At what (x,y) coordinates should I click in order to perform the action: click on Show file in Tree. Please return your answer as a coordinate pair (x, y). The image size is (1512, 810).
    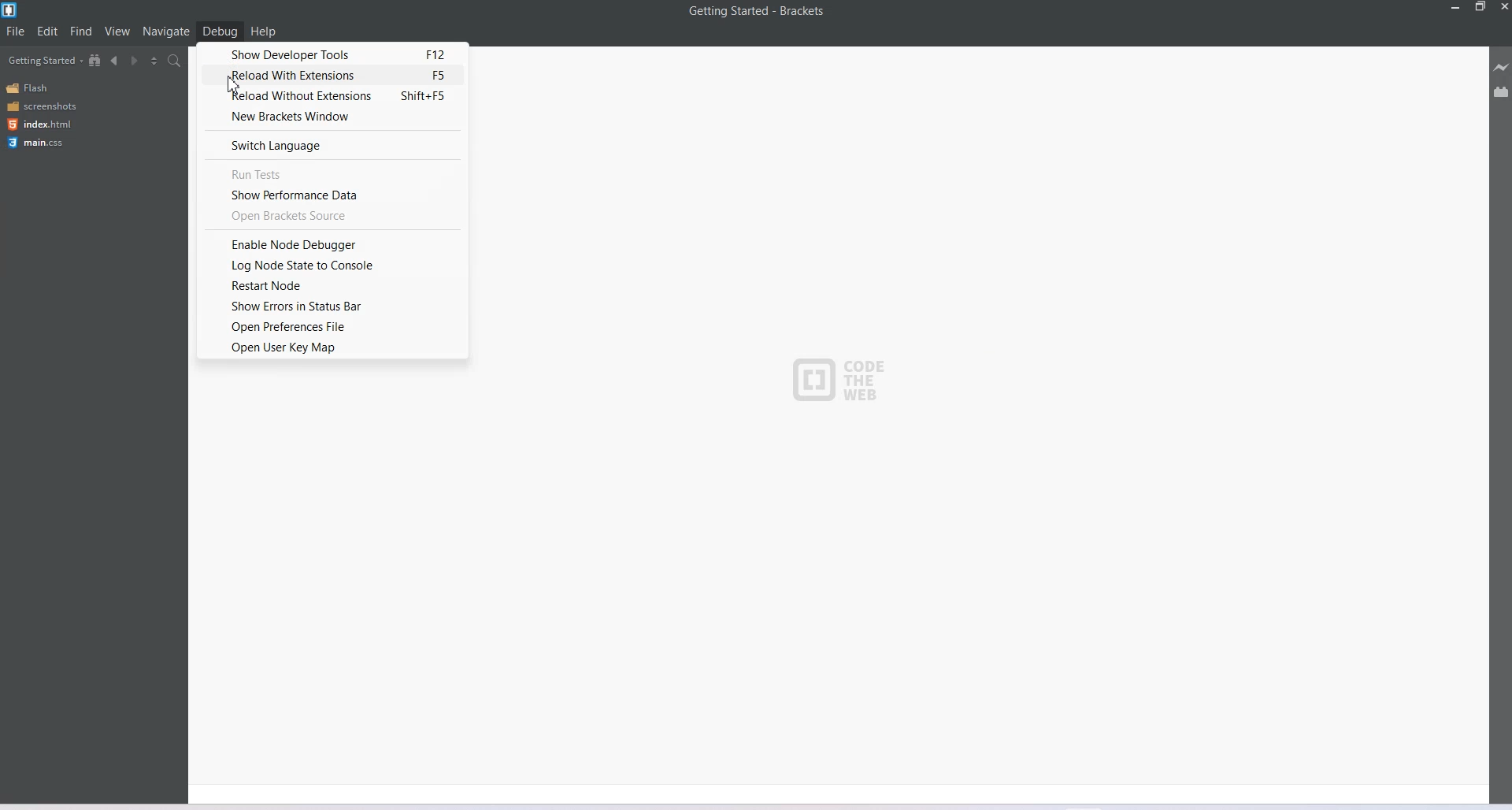
    Looking at the image, I should click on (95, 59).